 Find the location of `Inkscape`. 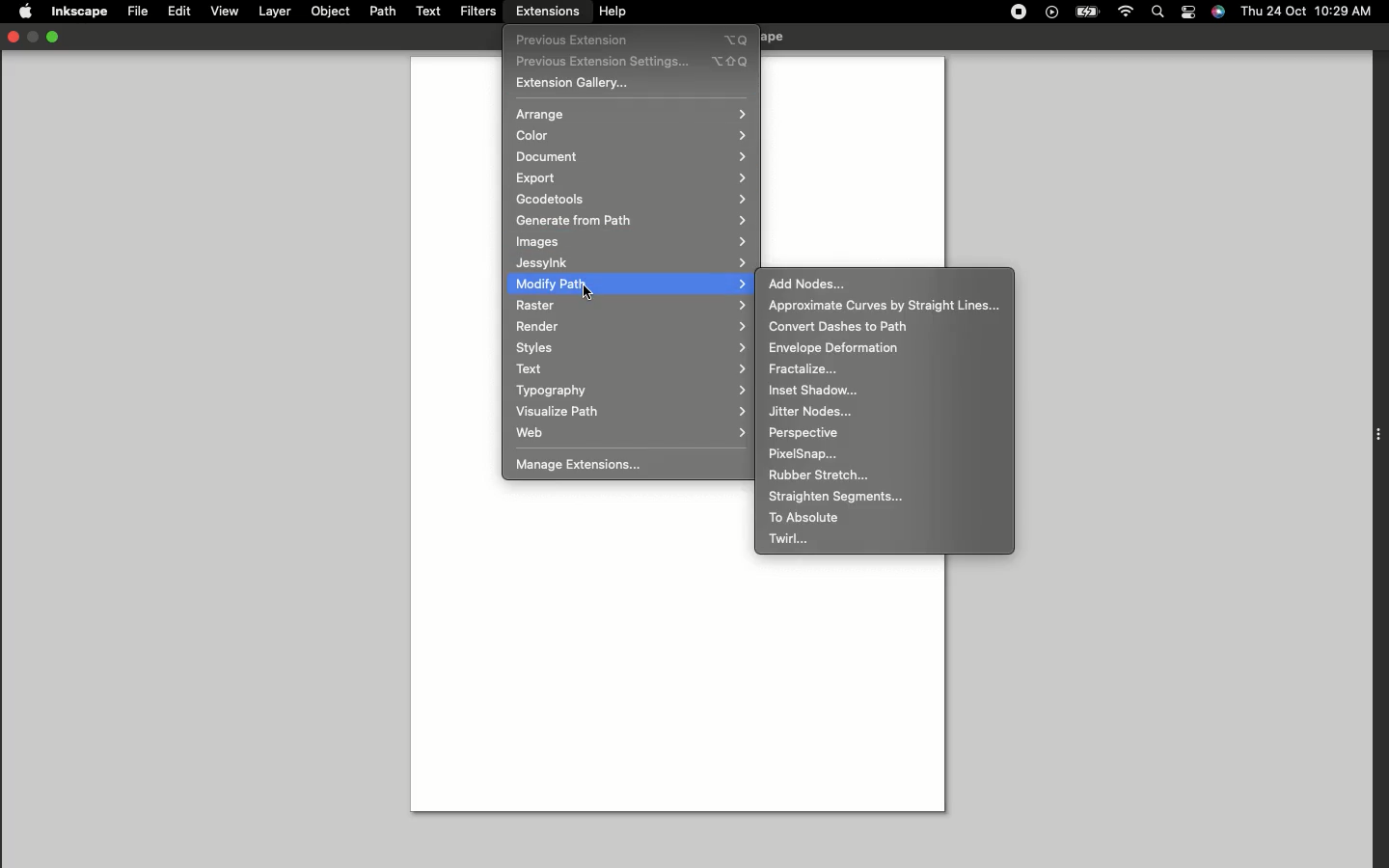

Inkscape is located at coordinates (81, 13).